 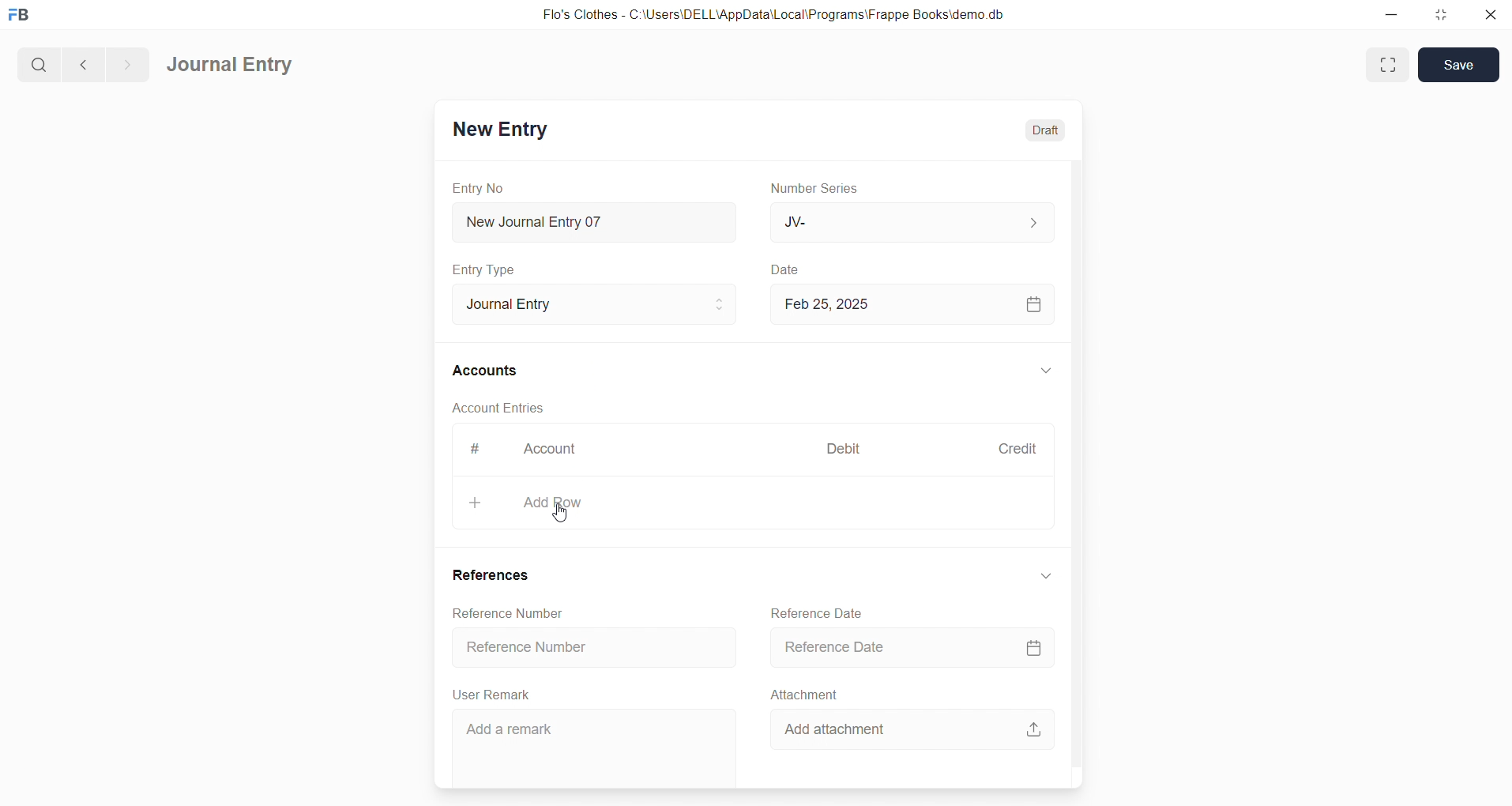 What do you see at coordinates (1046, 128) in the screenshot?
I see `Draft` at bounding box center [1046, 128].